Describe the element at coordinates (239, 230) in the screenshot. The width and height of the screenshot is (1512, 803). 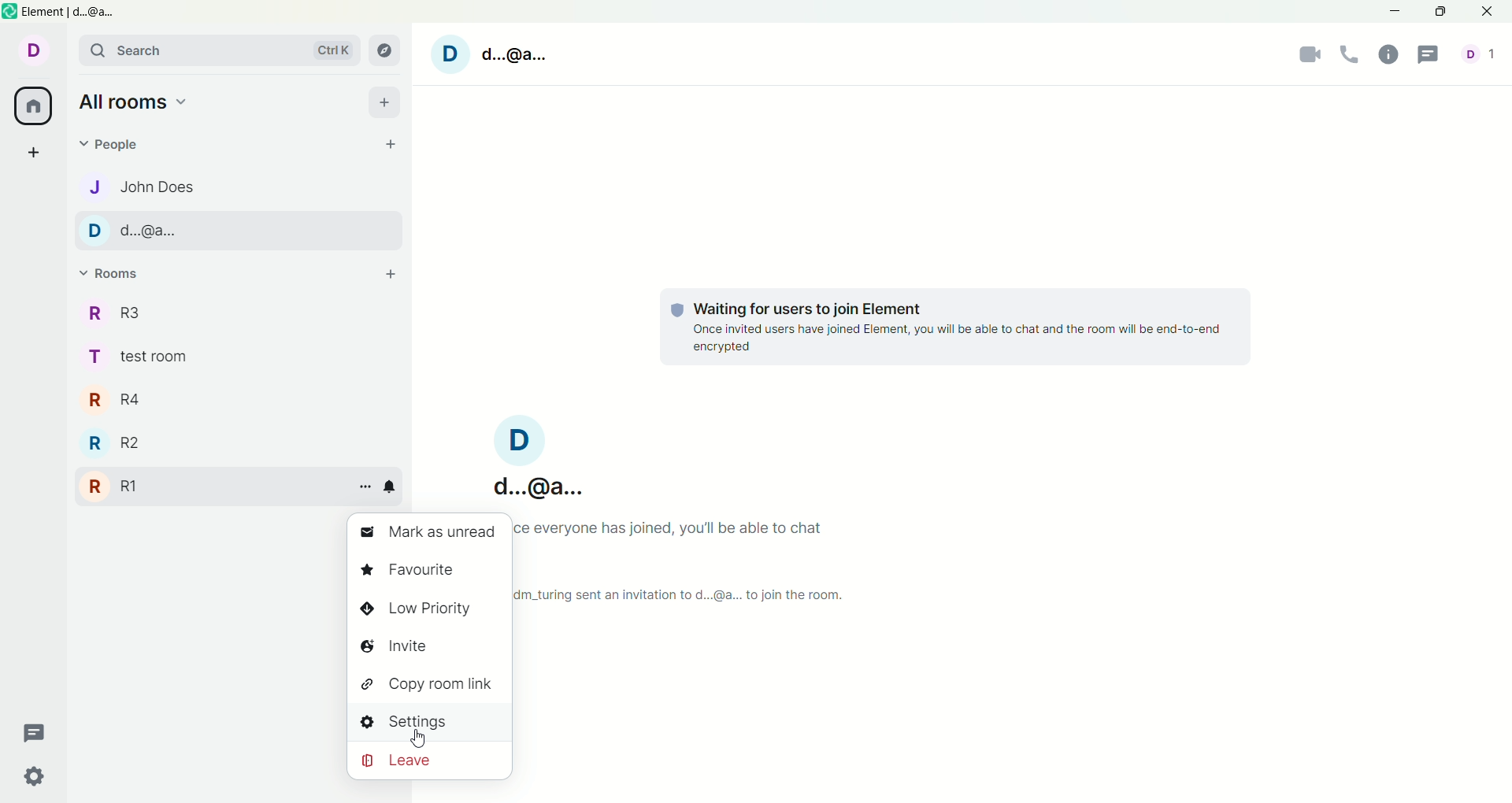
I see `d d..@a` at that location.